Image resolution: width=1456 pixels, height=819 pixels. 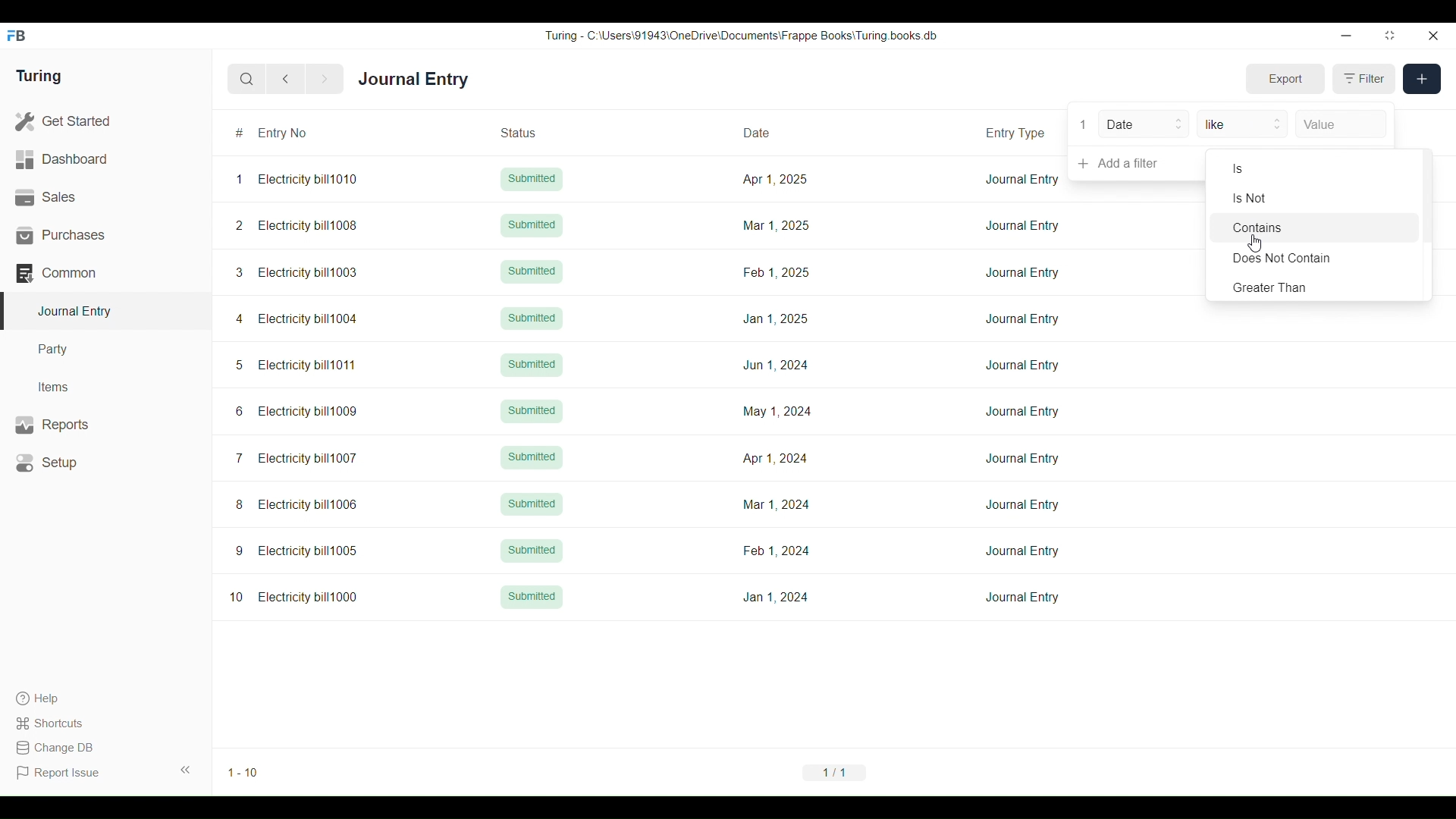 I want to click on Change dimension, so click(x=1390, y=35).